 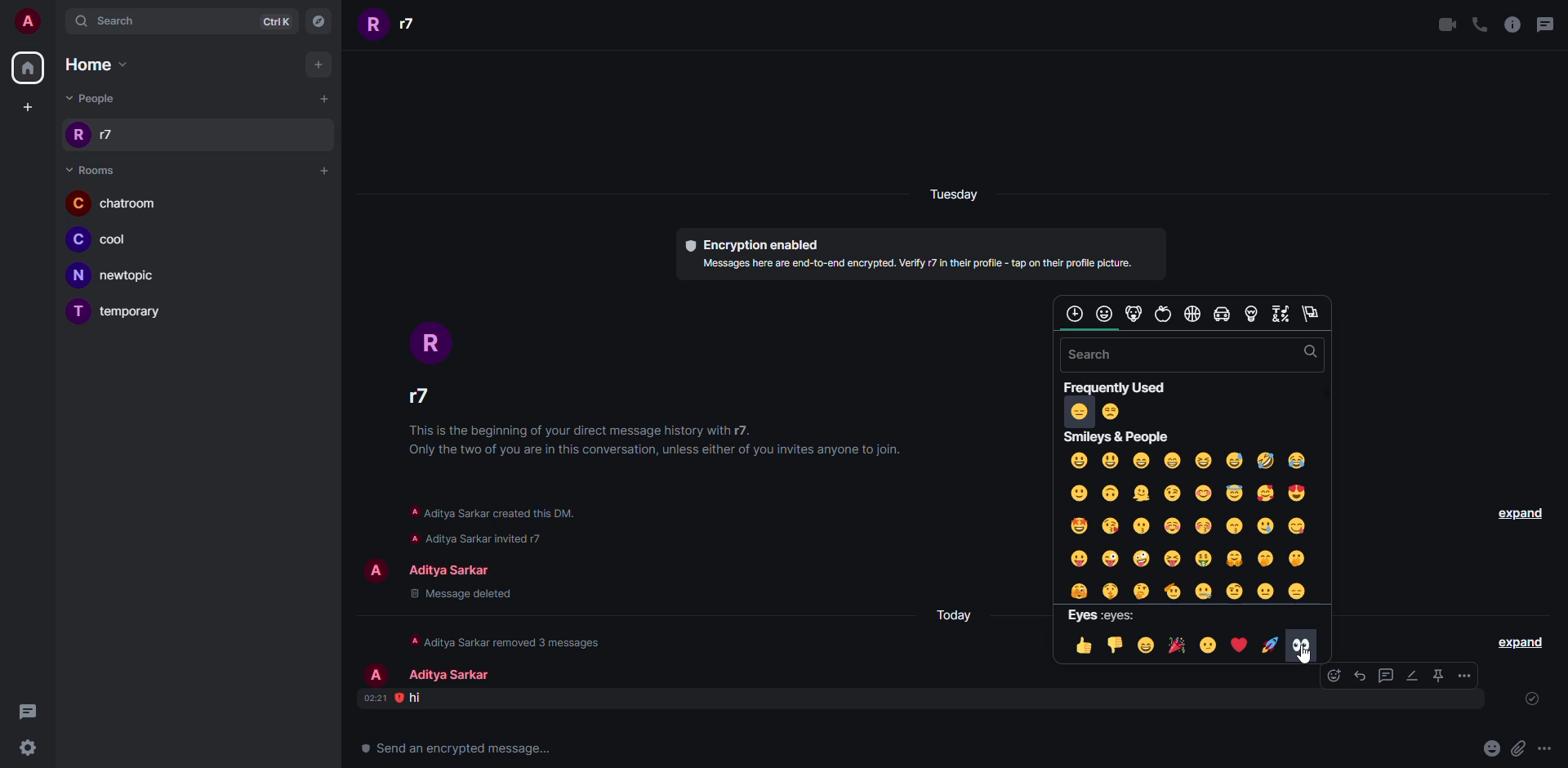 What do you see at coordinates (1192, 525) in the screenshot?
I see `smilley` at bounding box center [1192, 525].